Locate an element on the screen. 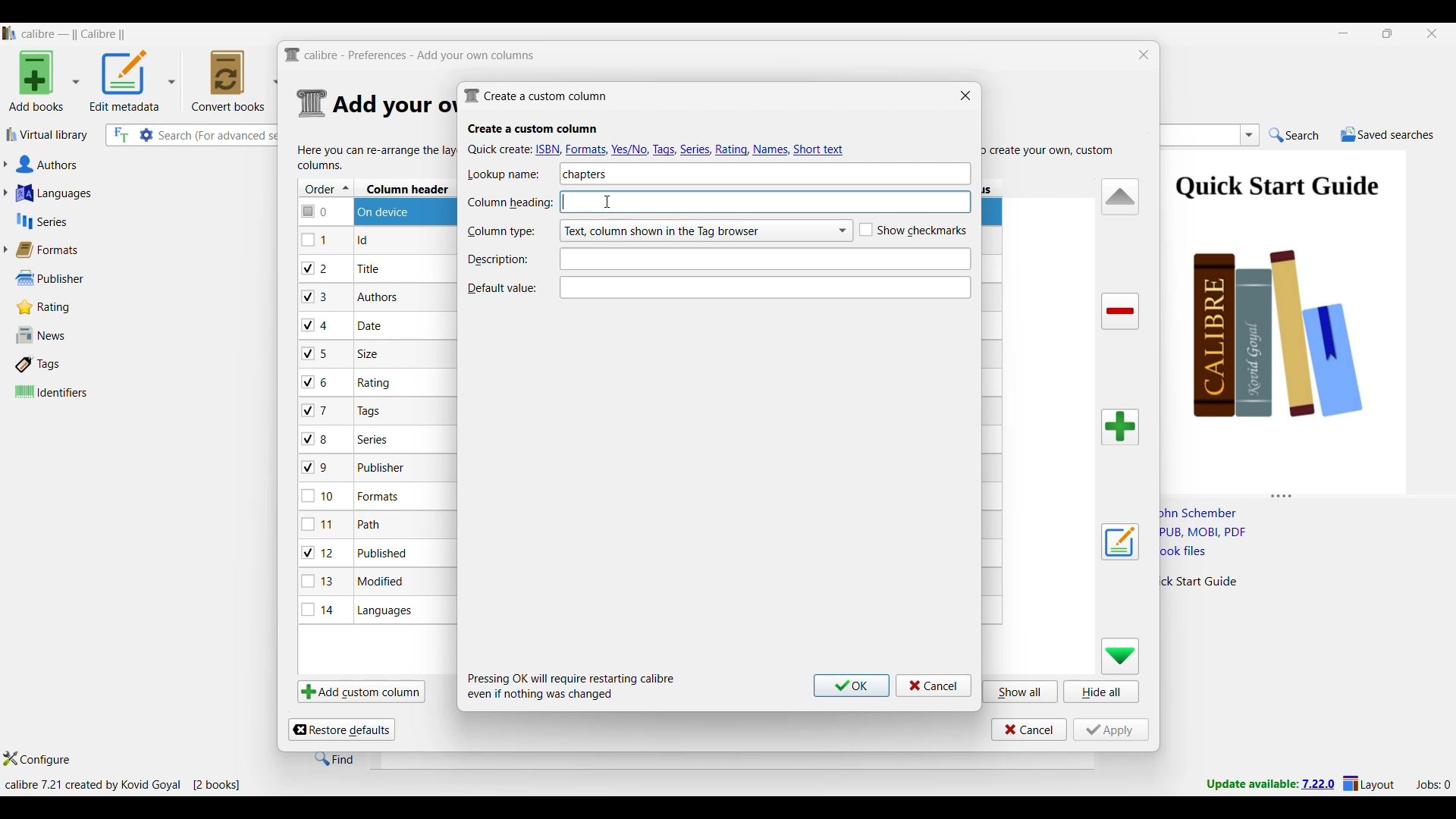  Current jobs is located at coordinates (1432, 785).